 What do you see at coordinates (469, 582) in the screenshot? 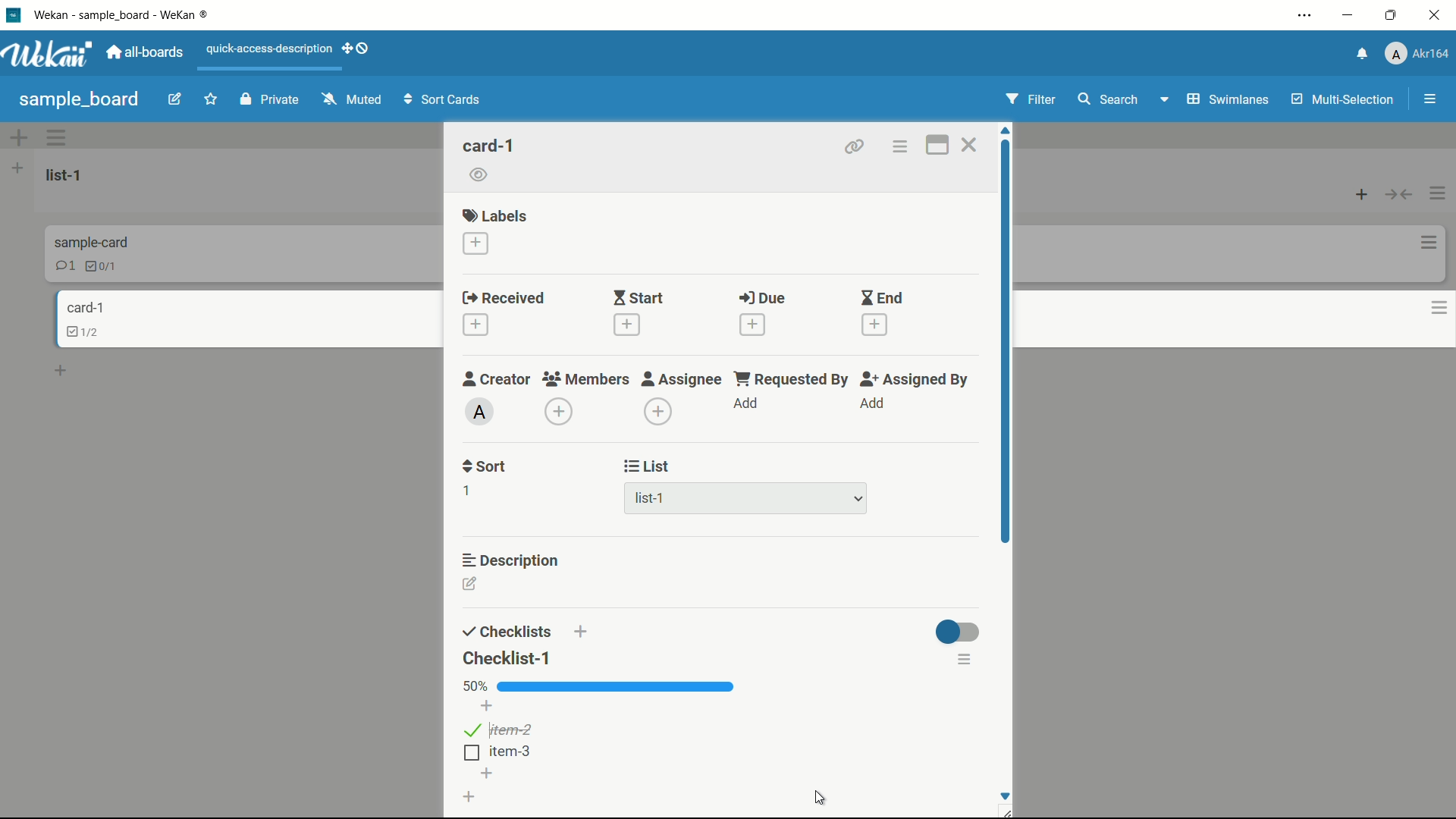
I see `edit description` at bounding box center [469, 582].